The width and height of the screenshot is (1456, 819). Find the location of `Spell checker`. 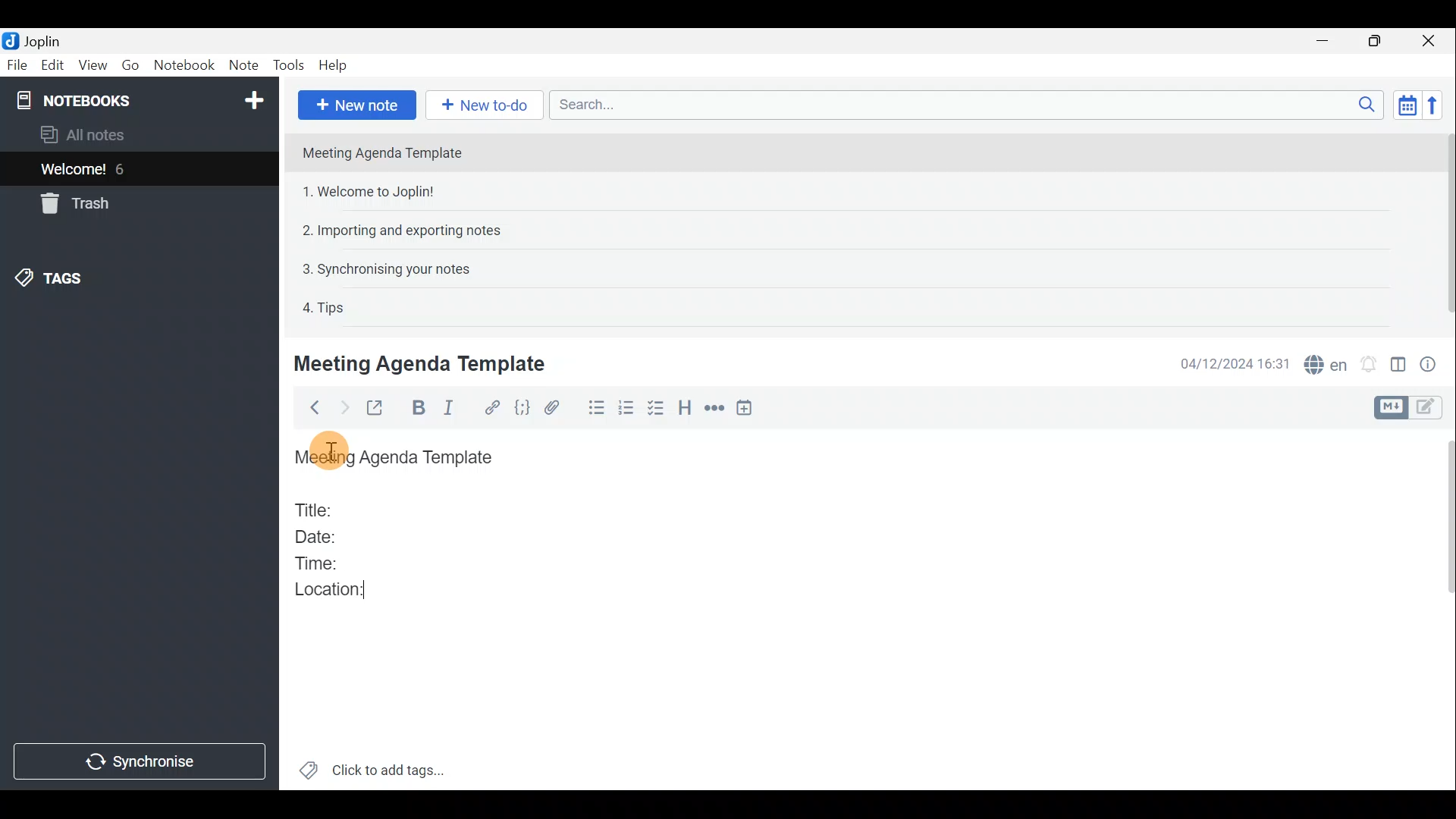

Spell checker is located at coordinates (1327, 362).